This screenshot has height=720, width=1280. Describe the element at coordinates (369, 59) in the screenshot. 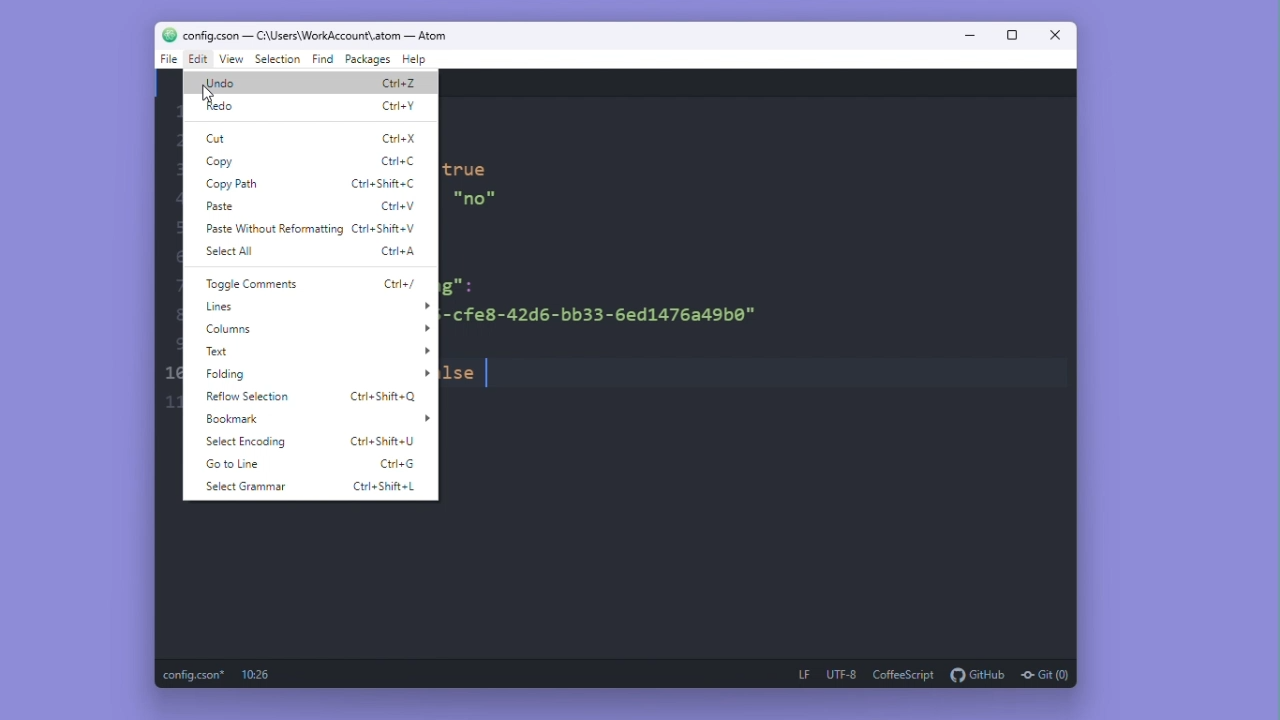

I see `Packages` at that location.